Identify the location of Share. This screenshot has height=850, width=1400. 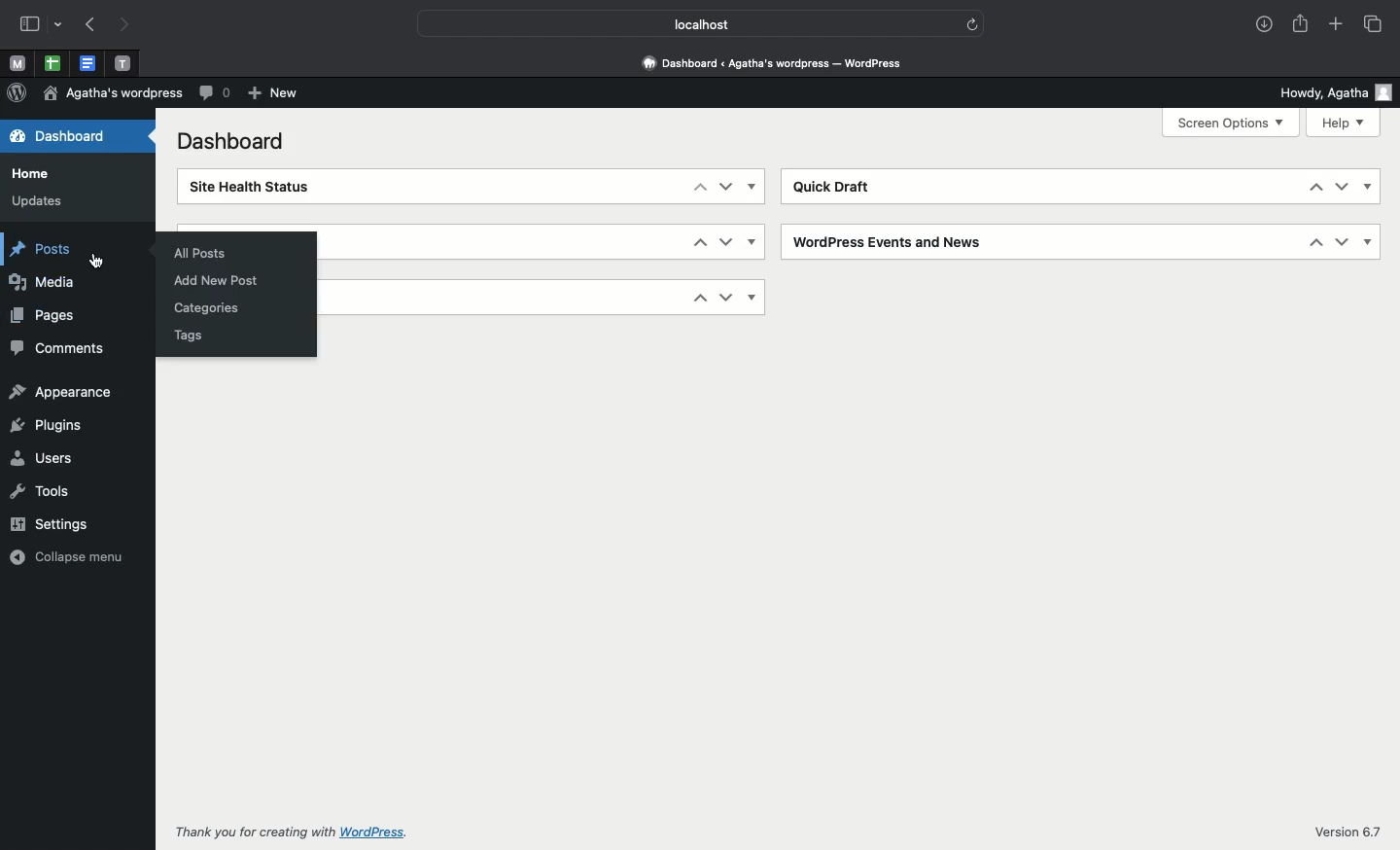
(1300, 25).